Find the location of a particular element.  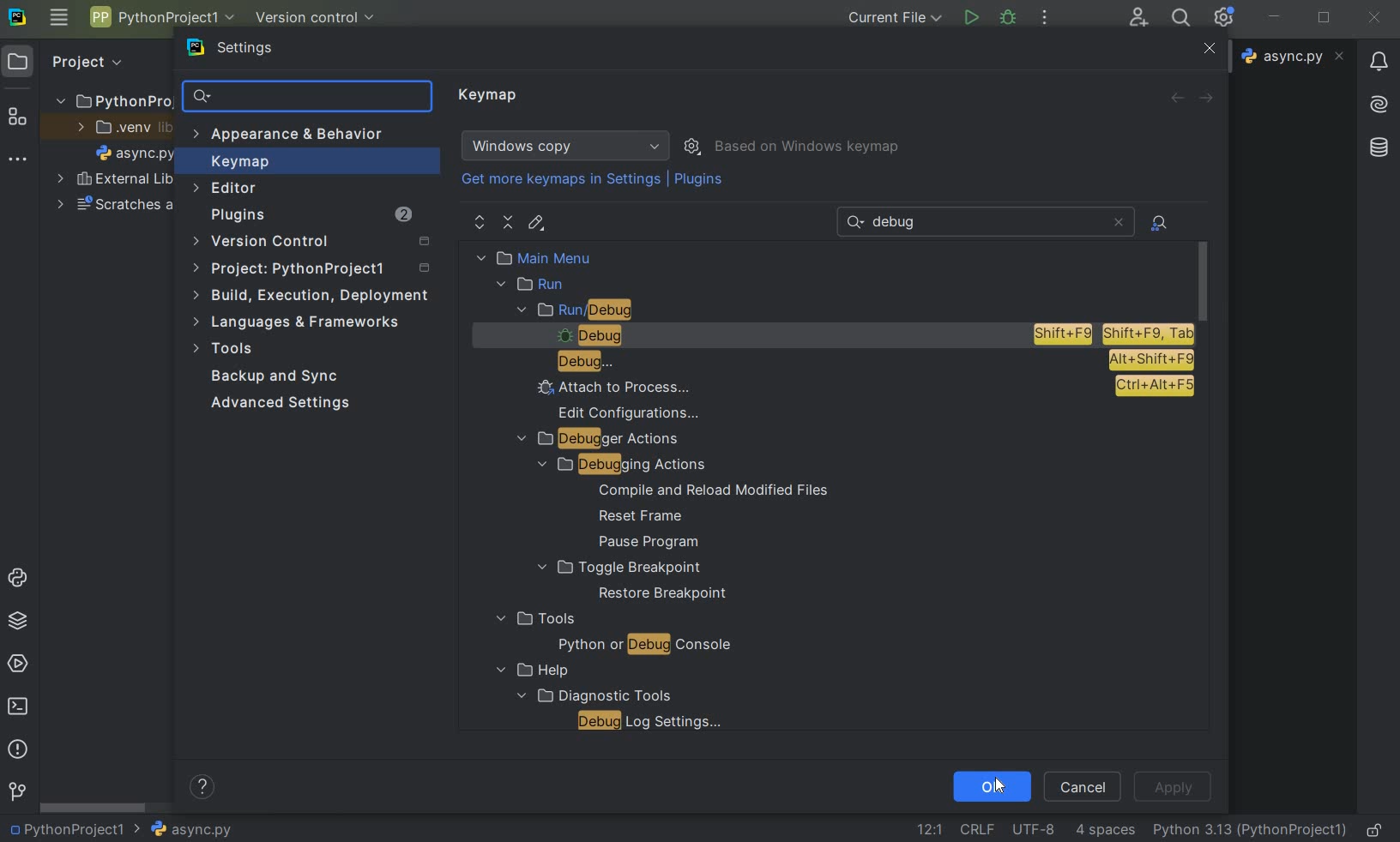

Revert changes is located at coordinates (1089, 93).